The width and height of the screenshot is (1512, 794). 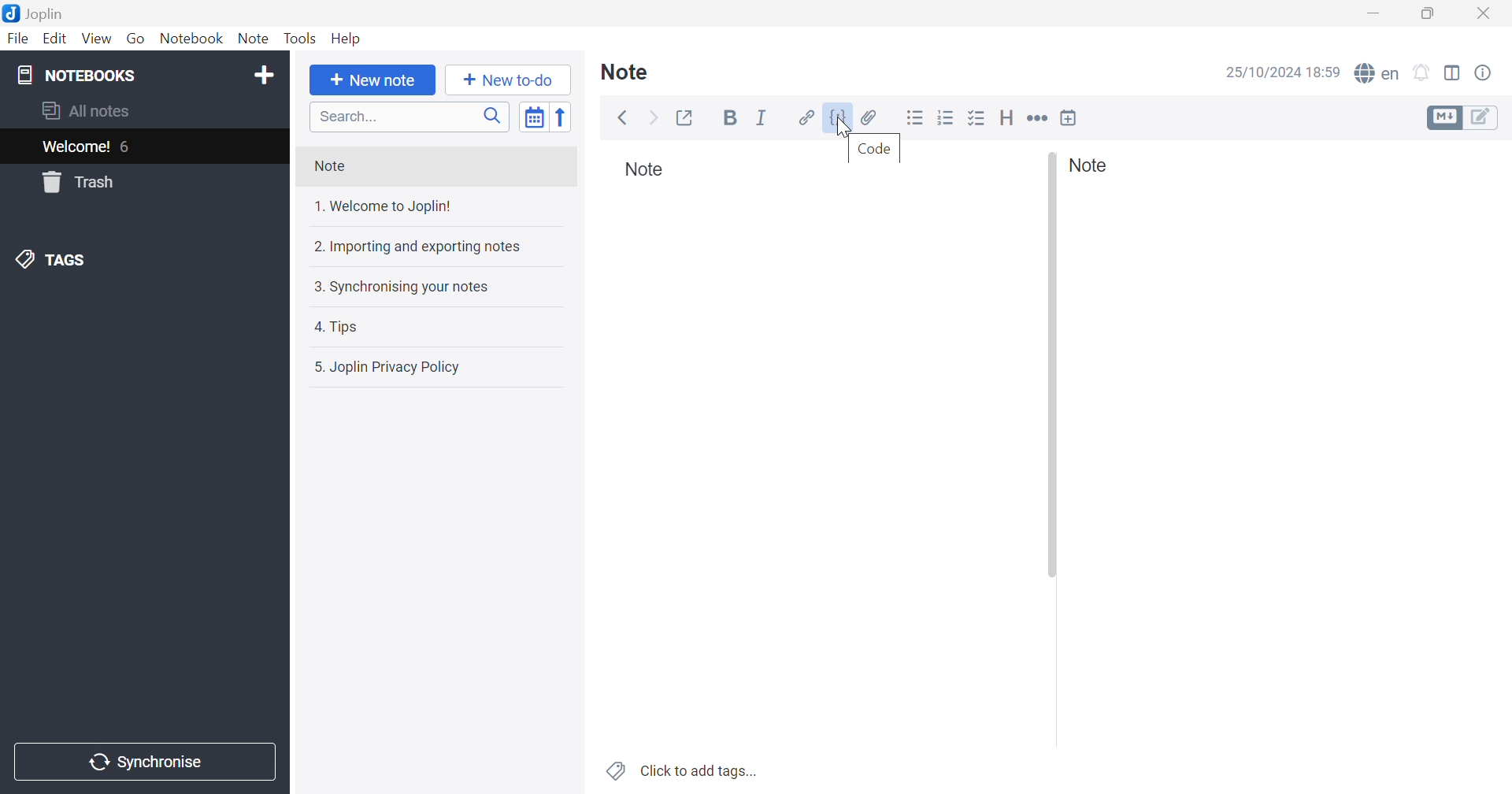 What do you see at coordinates (1264, 73) in the screenshot?
I see `25/10/2024` at bounding box center [1264, 73].